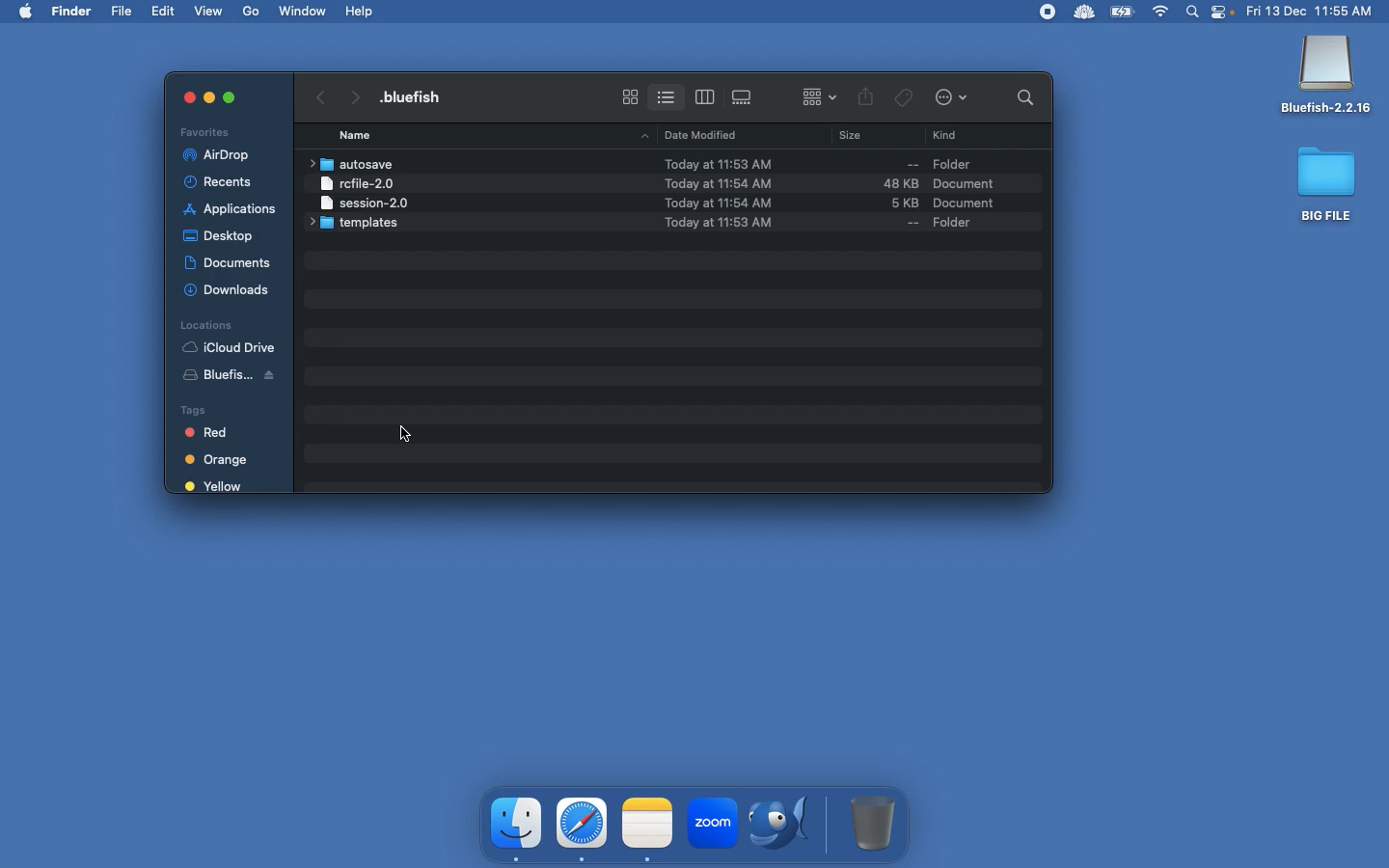 This screenshot has width=1389, height=868. Describe the element at coordinates (361, 11) in the screenshot. I see `Help` at that location.